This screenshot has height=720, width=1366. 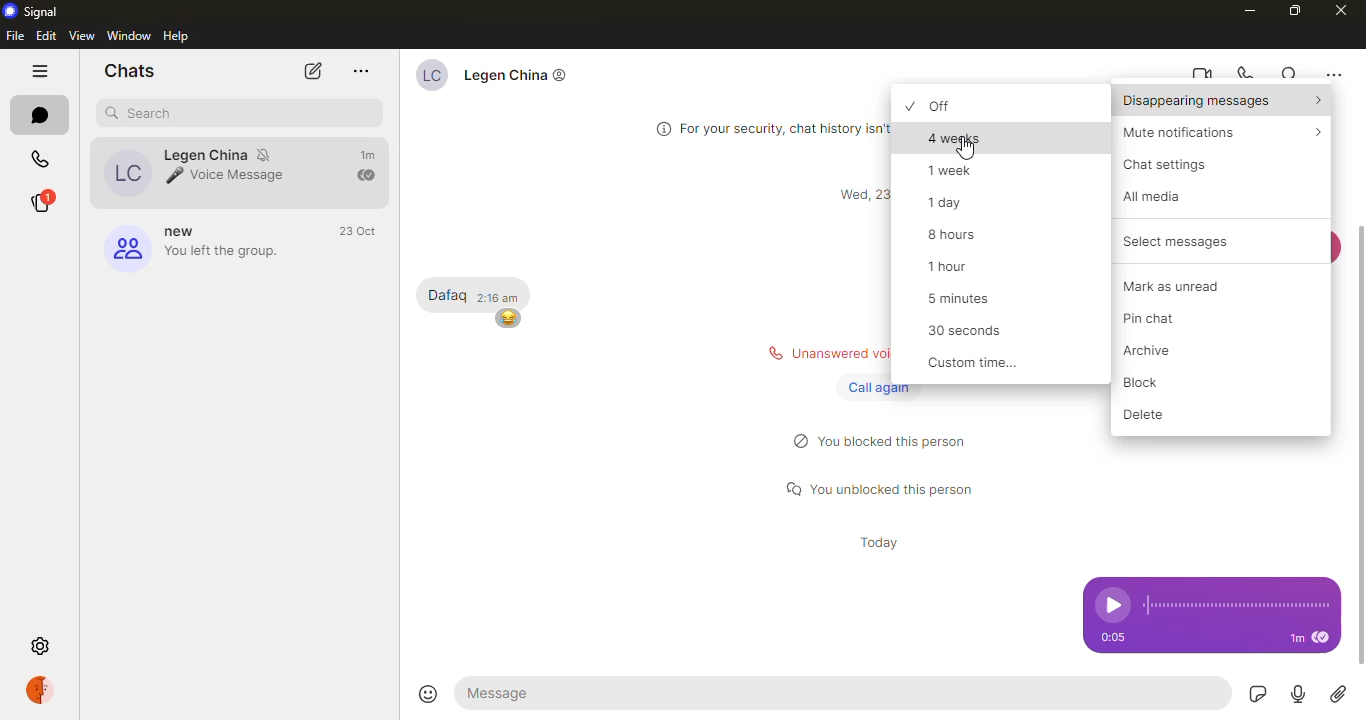 I want to click on 5 minutes, so click(x=968, y=297).